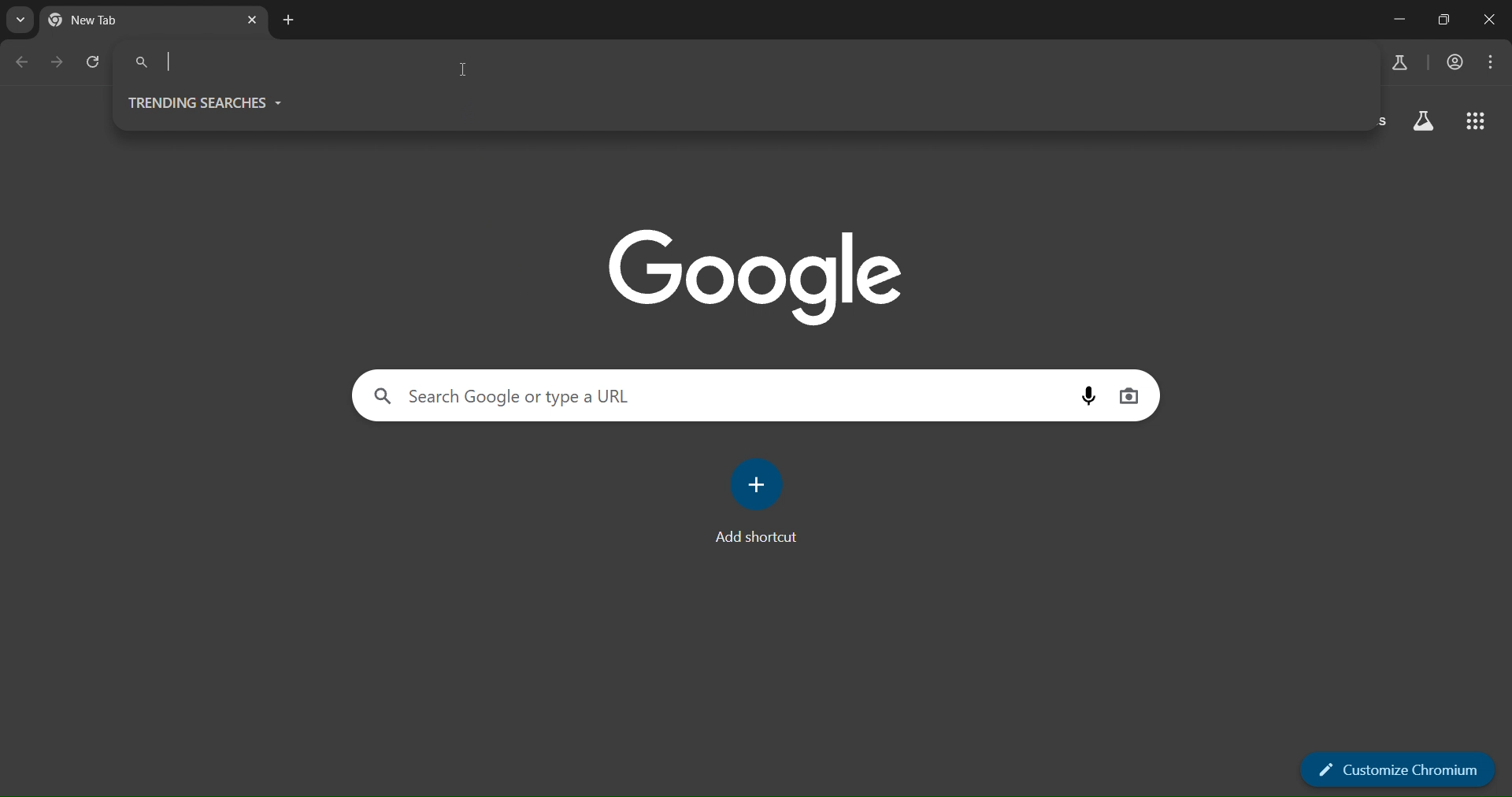 This screenshot has width=1512, height=797. I want to click on search tabs, so click(20, 20).